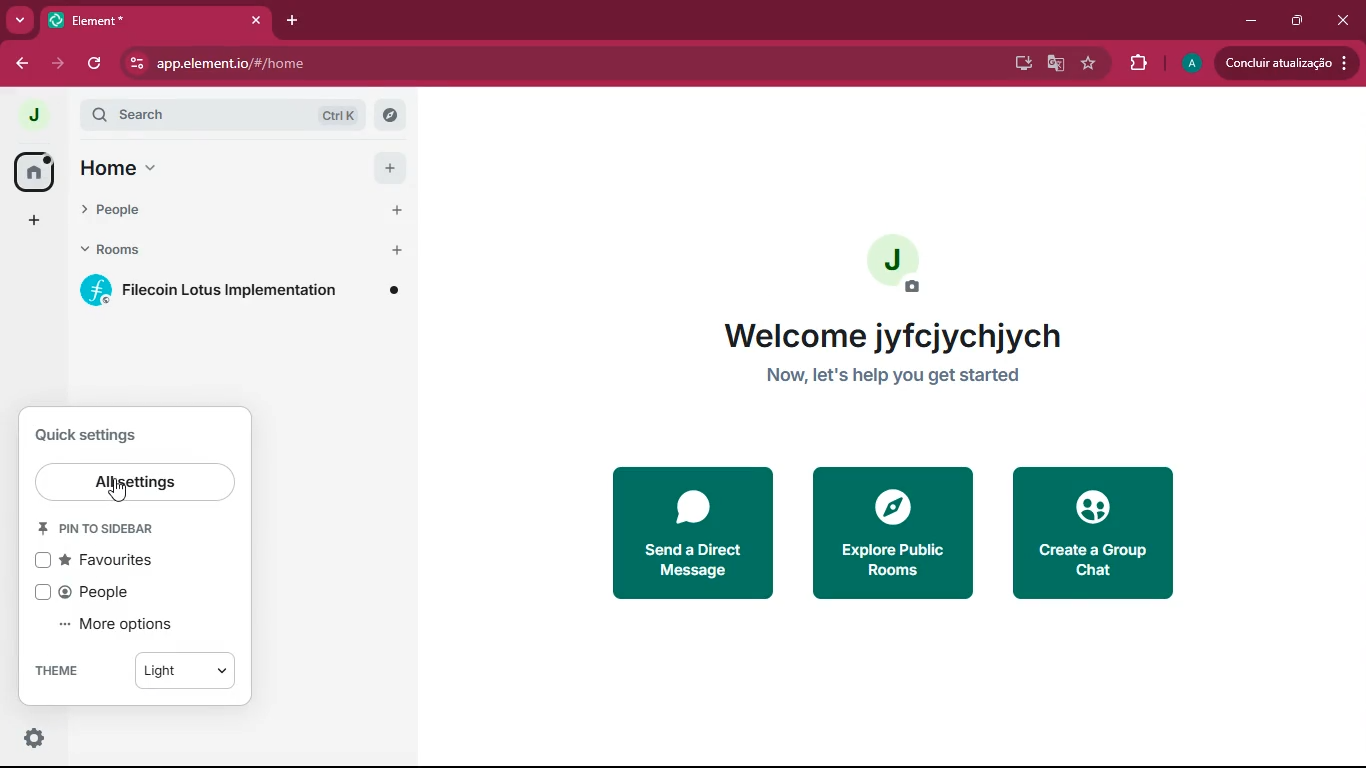 Image resolution: width=1366 pixels, height=768 pixels. What do you see at coordinates (243, 293) in the screenshot?
I see `filecoin lotus implementation` at bounding box center [243, 293].